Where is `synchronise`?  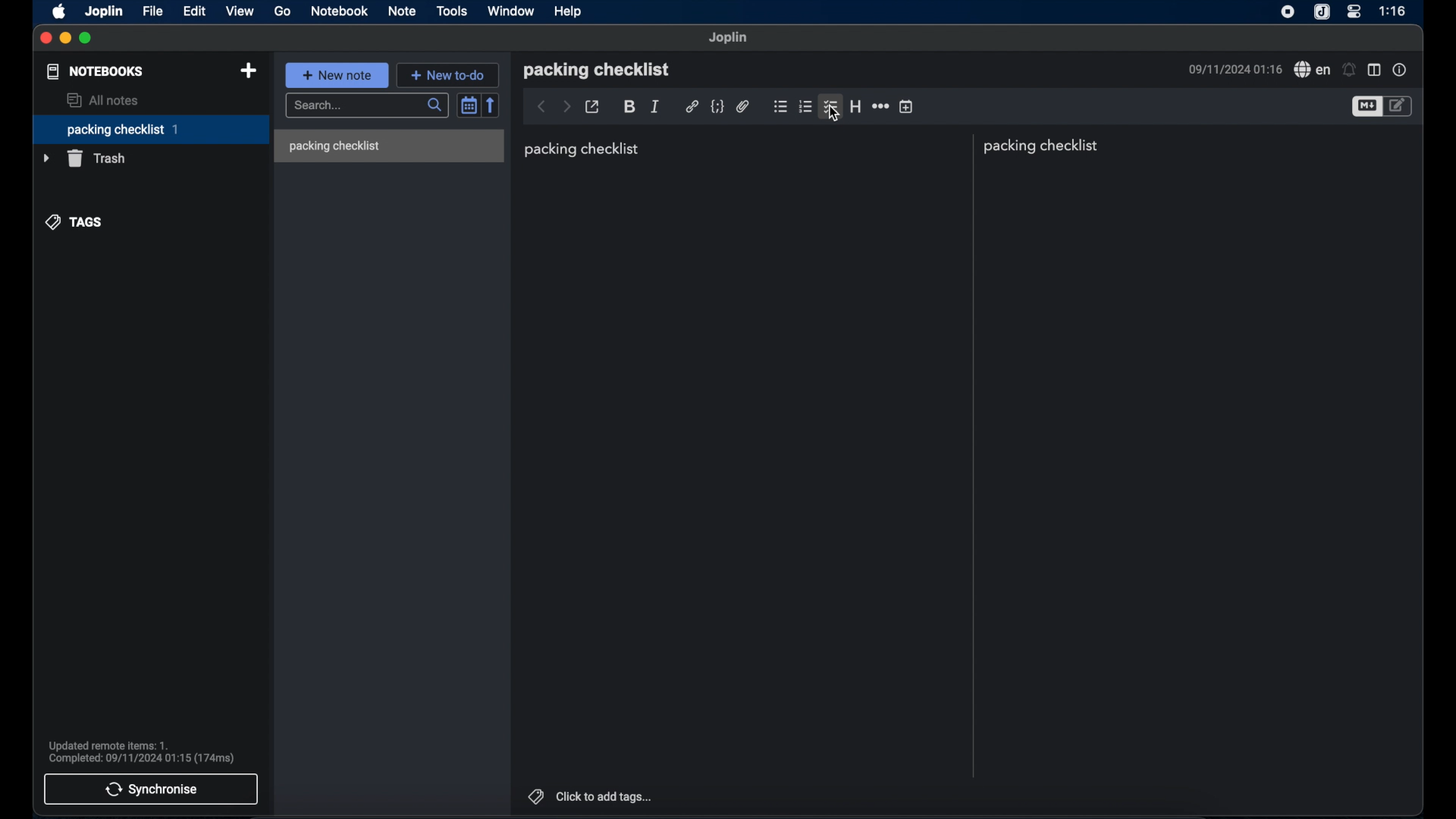 synchronise is located at coordinates (150, 789).